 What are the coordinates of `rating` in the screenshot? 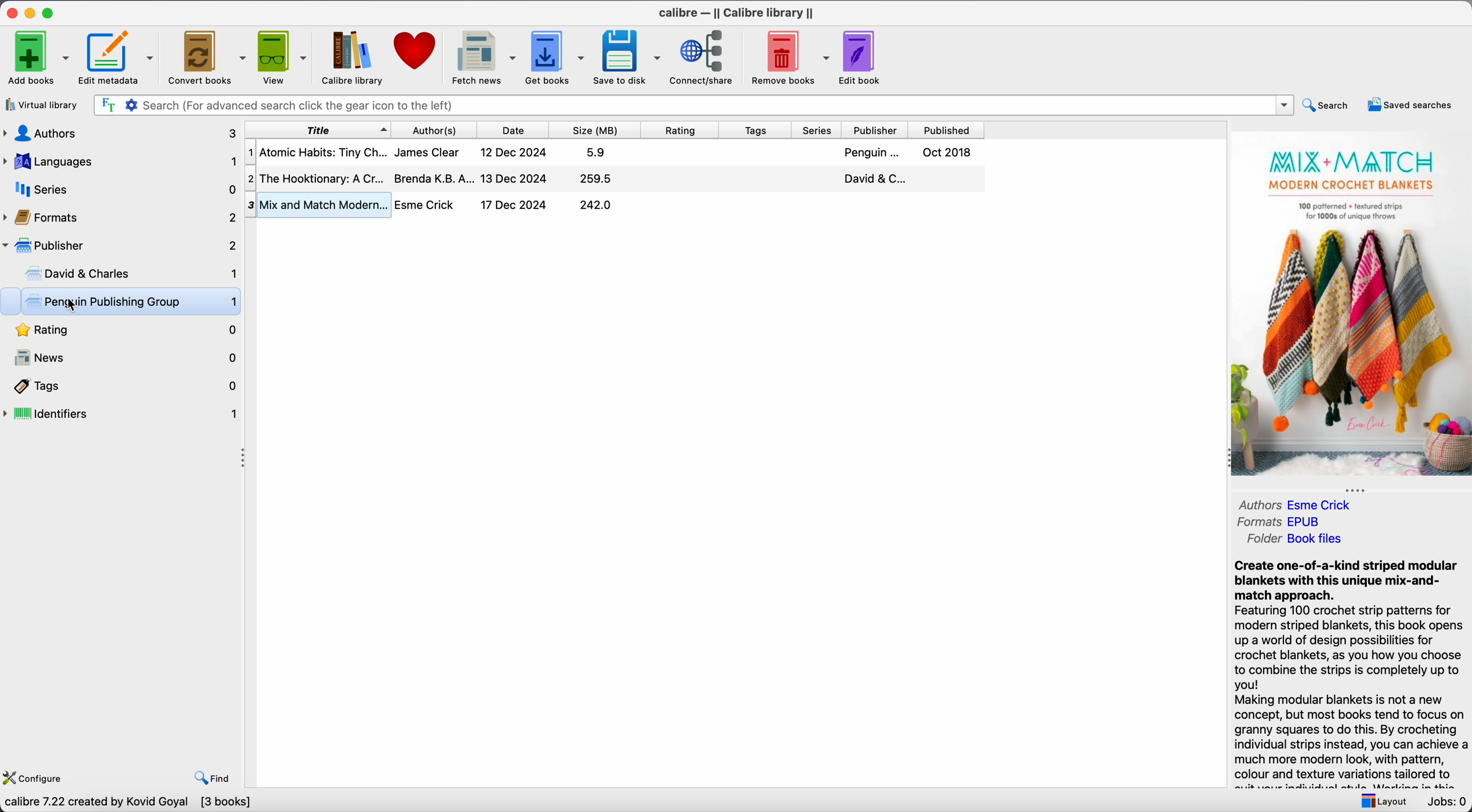 It's located at (685, 130).